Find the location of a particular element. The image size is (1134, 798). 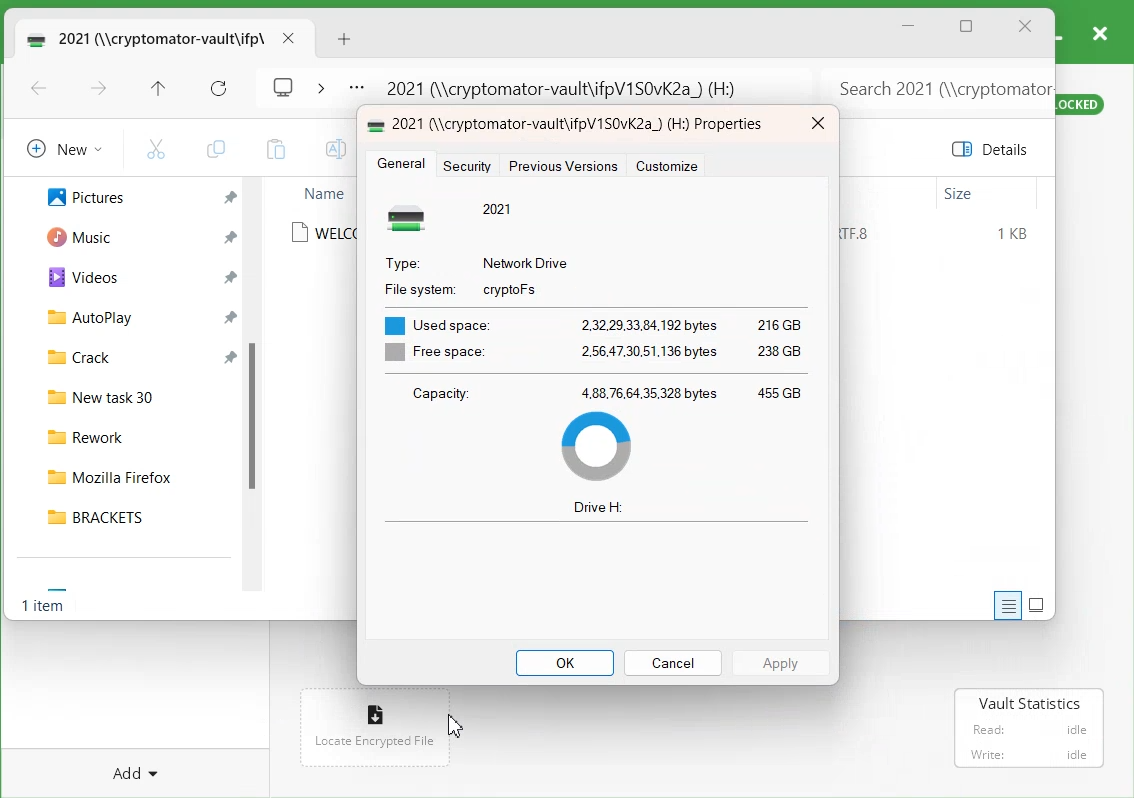

icon is located at coordinates (412, 217).